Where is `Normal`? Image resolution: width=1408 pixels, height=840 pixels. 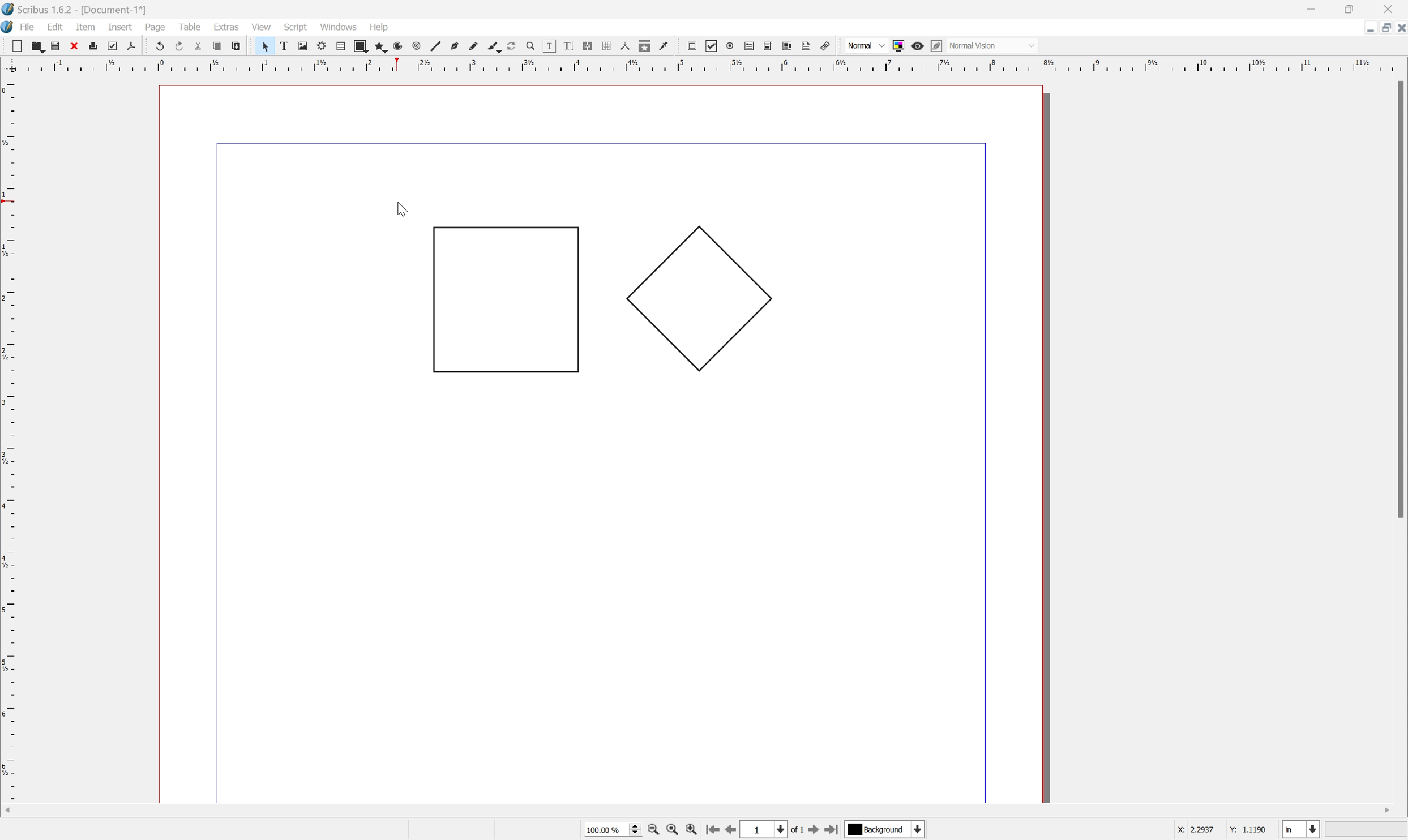
Normal is located at coordinates (866, 45).